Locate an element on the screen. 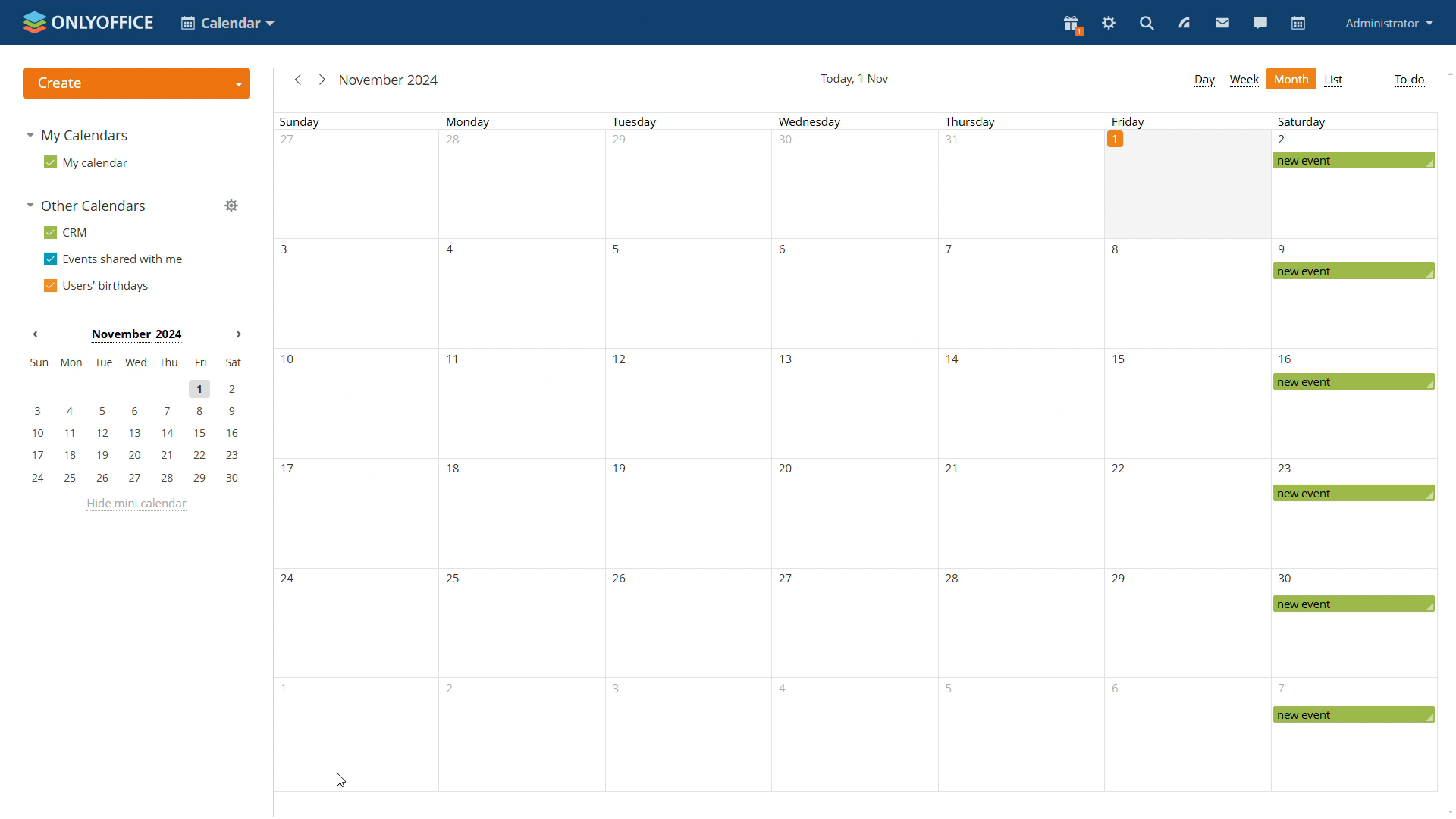 The image size is (1456, 819). day view is located at coordinates (1204, 81).